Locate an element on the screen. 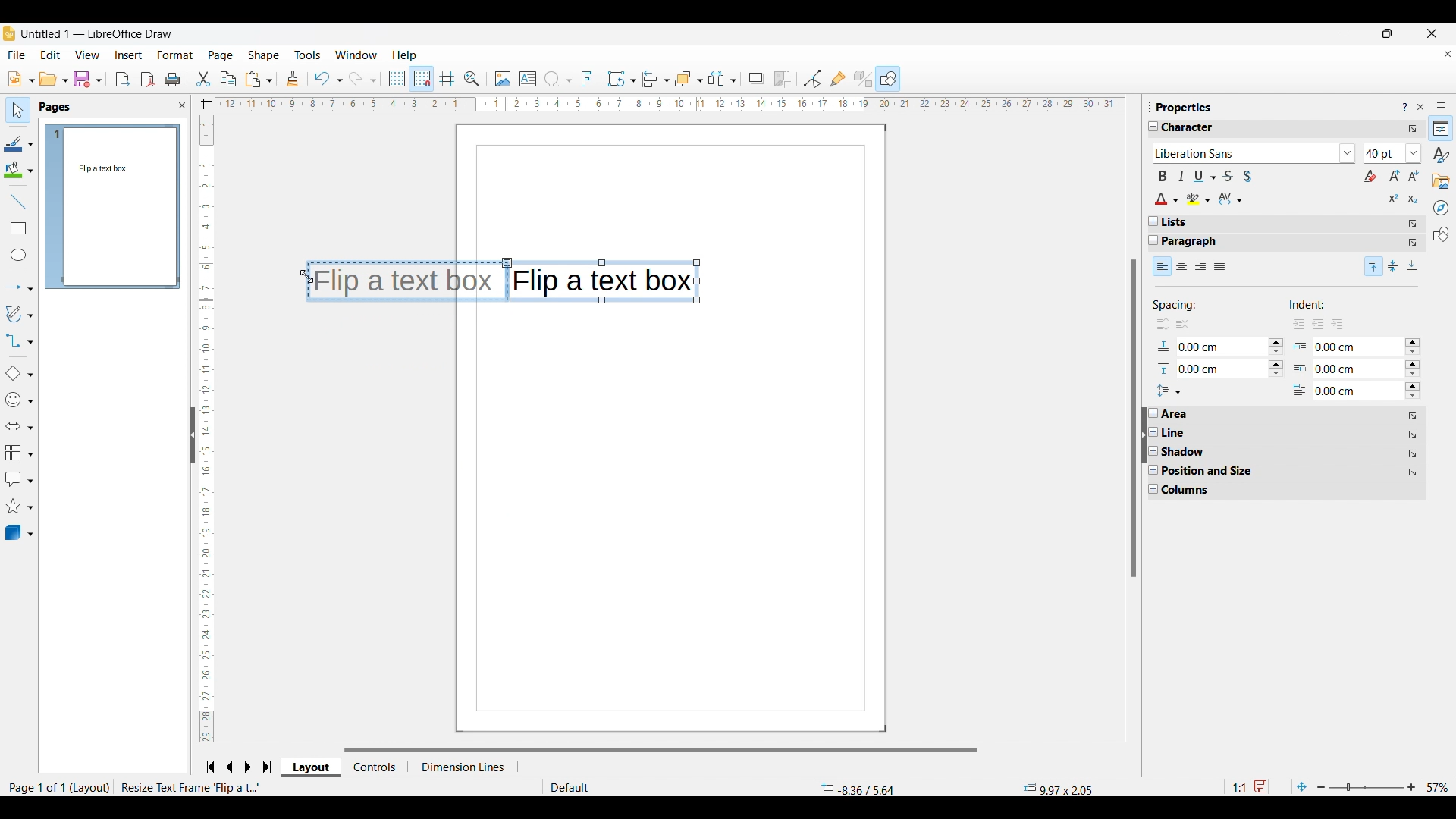 The width and height of the screenshot is (1456, 819). Show gluepoint functions is located at coordinates (839, 79).